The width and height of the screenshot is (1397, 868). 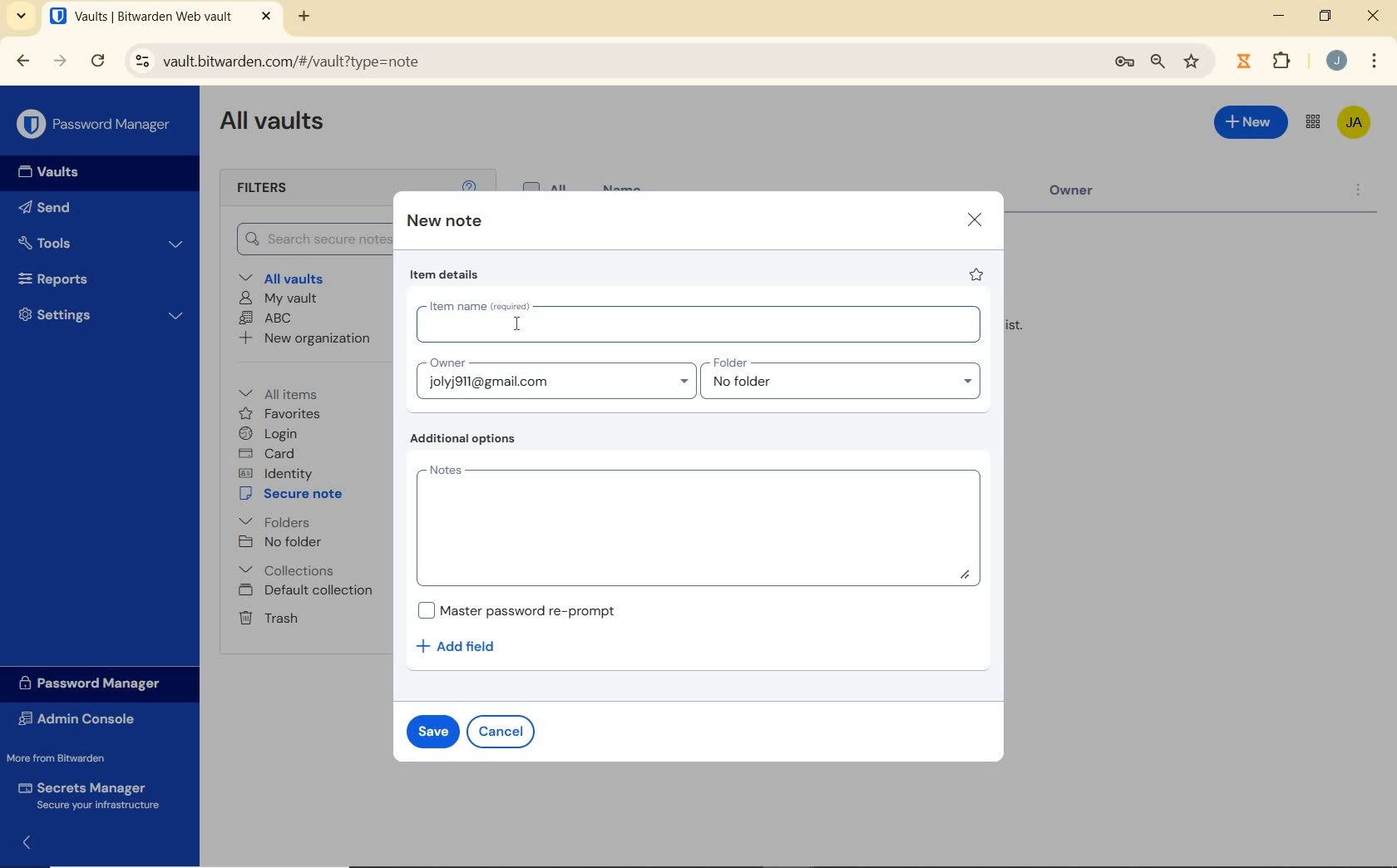 I want to click on open tab, so click(x=160, y=16).